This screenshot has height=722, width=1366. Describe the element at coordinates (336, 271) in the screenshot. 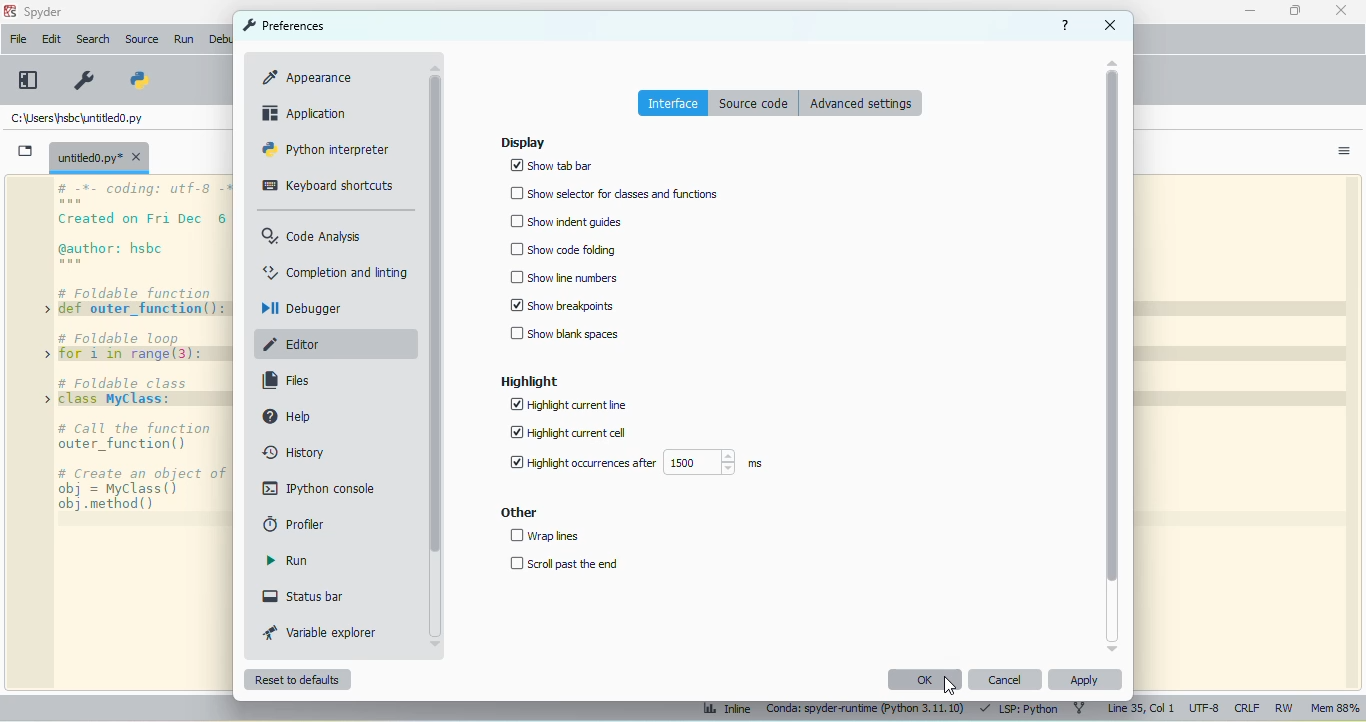

I see `completion and linting` at that location.